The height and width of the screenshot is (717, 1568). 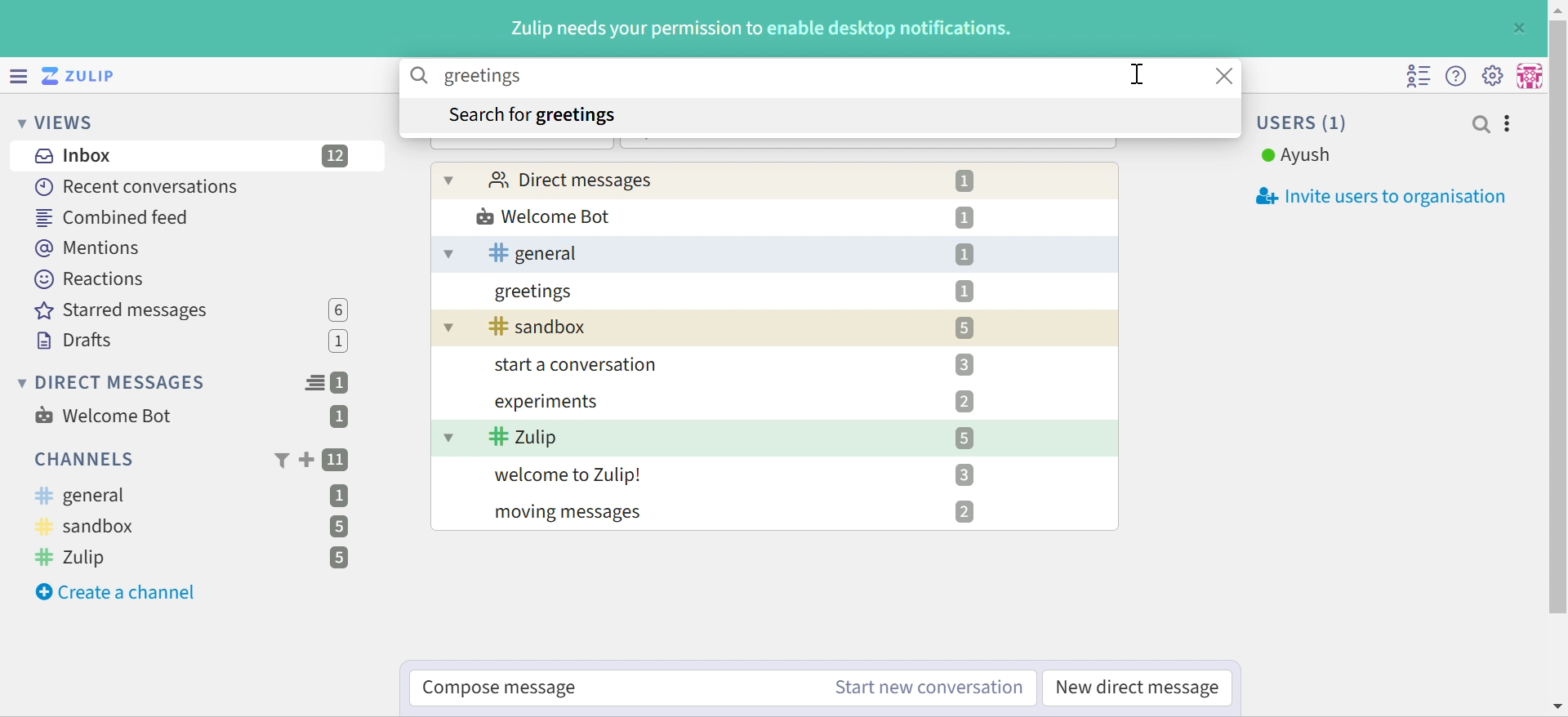 What do you see at coordinates (1138, 688) in the screenshot?
I see `New direct message` at bounding box center [1138, 688].